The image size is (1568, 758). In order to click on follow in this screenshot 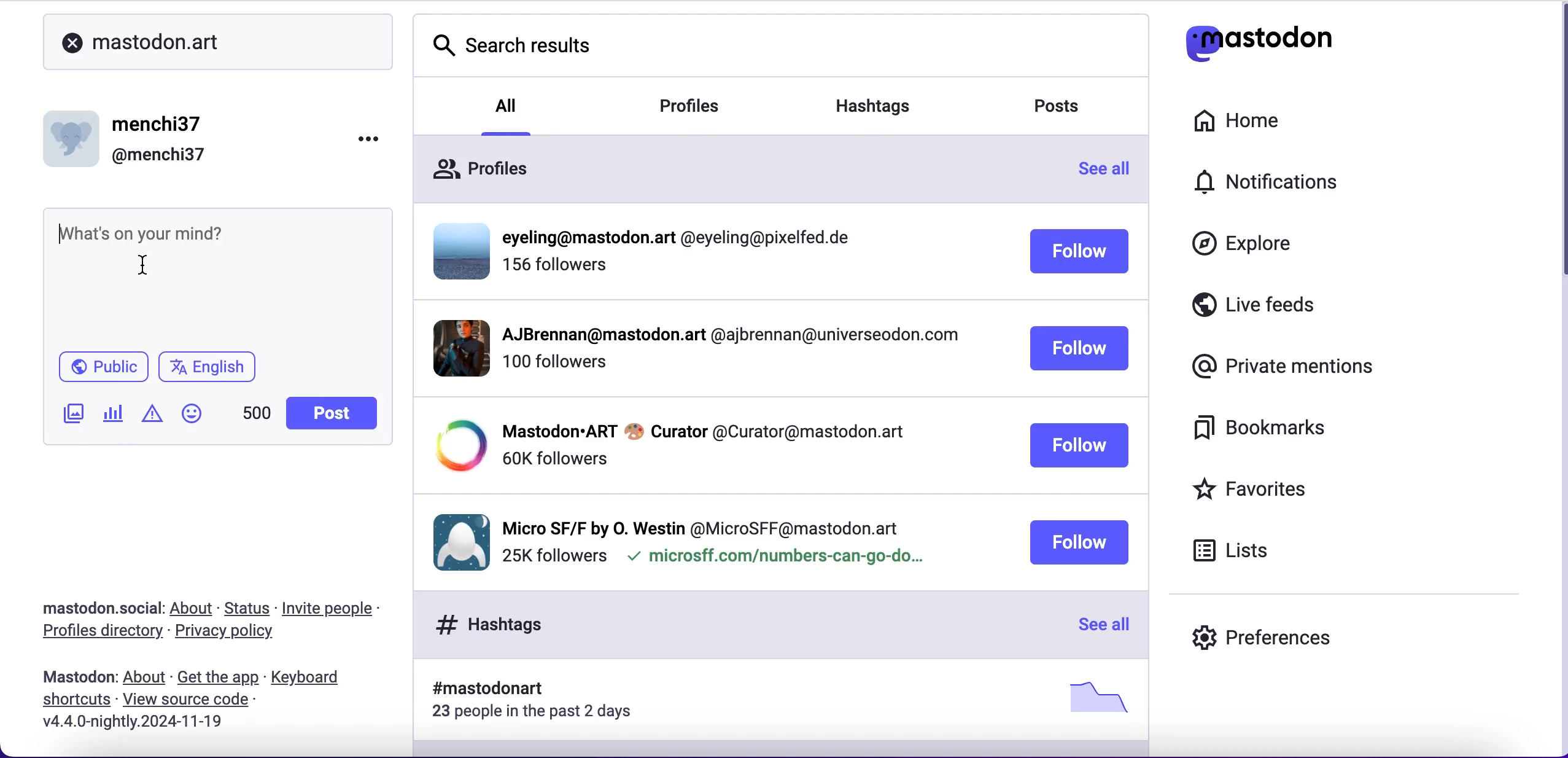, I will do `click(1079, 253)`.